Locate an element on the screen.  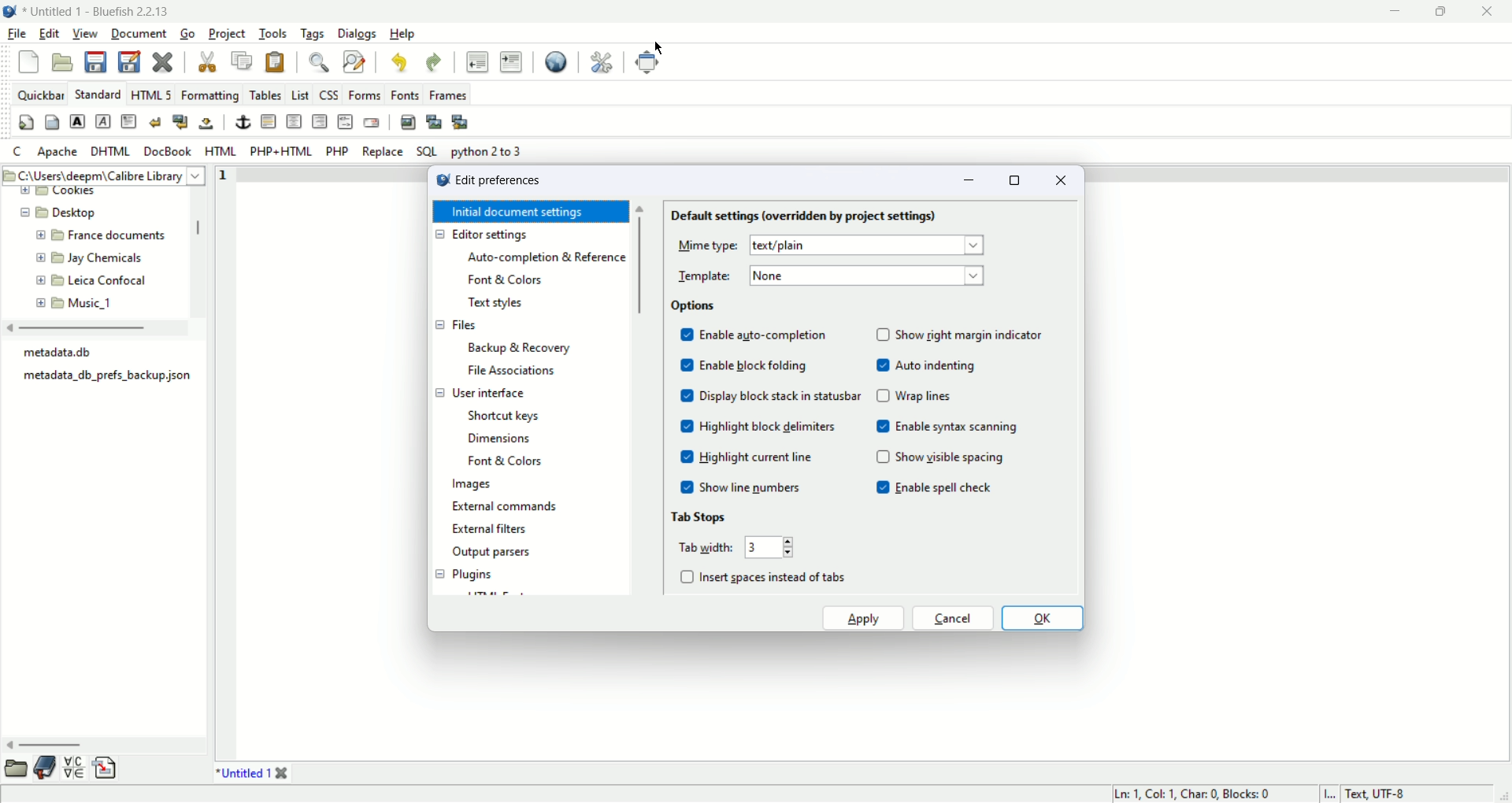
body is located at coordinates (53, 122).